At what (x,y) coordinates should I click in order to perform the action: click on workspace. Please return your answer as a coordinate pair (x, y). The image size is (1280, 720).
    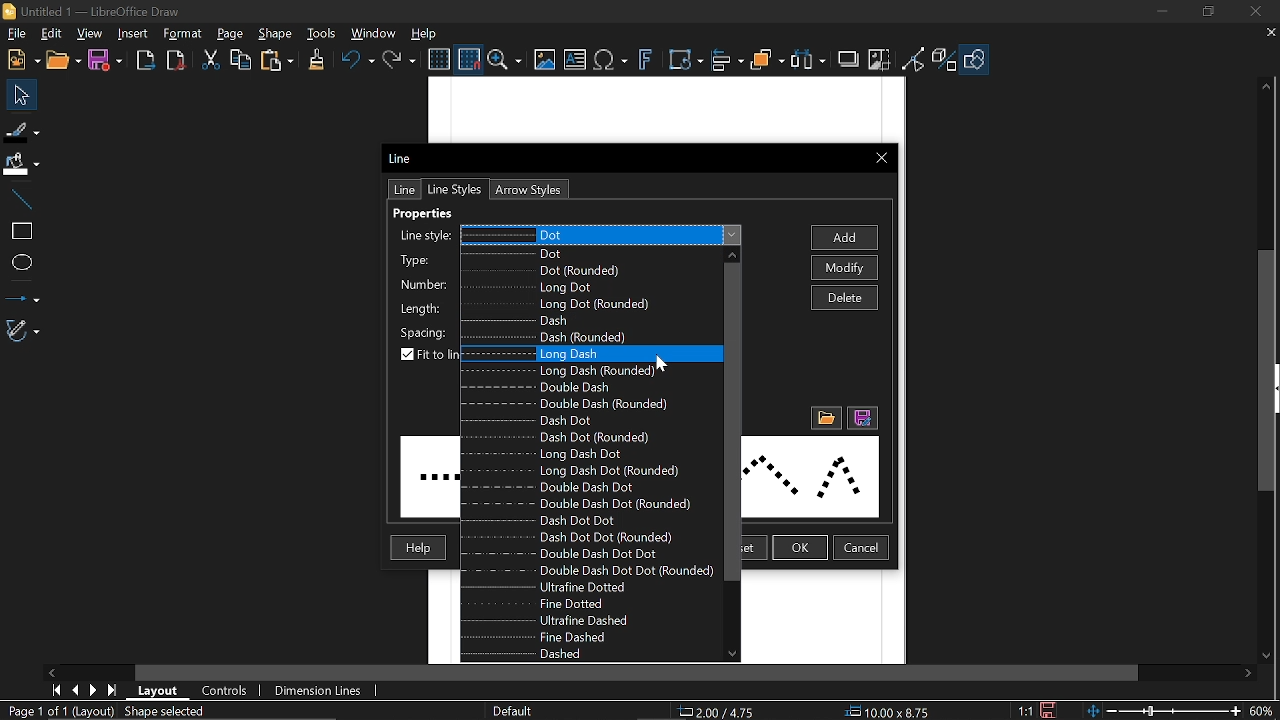
    Looking at the image, I should click on (822, 617).